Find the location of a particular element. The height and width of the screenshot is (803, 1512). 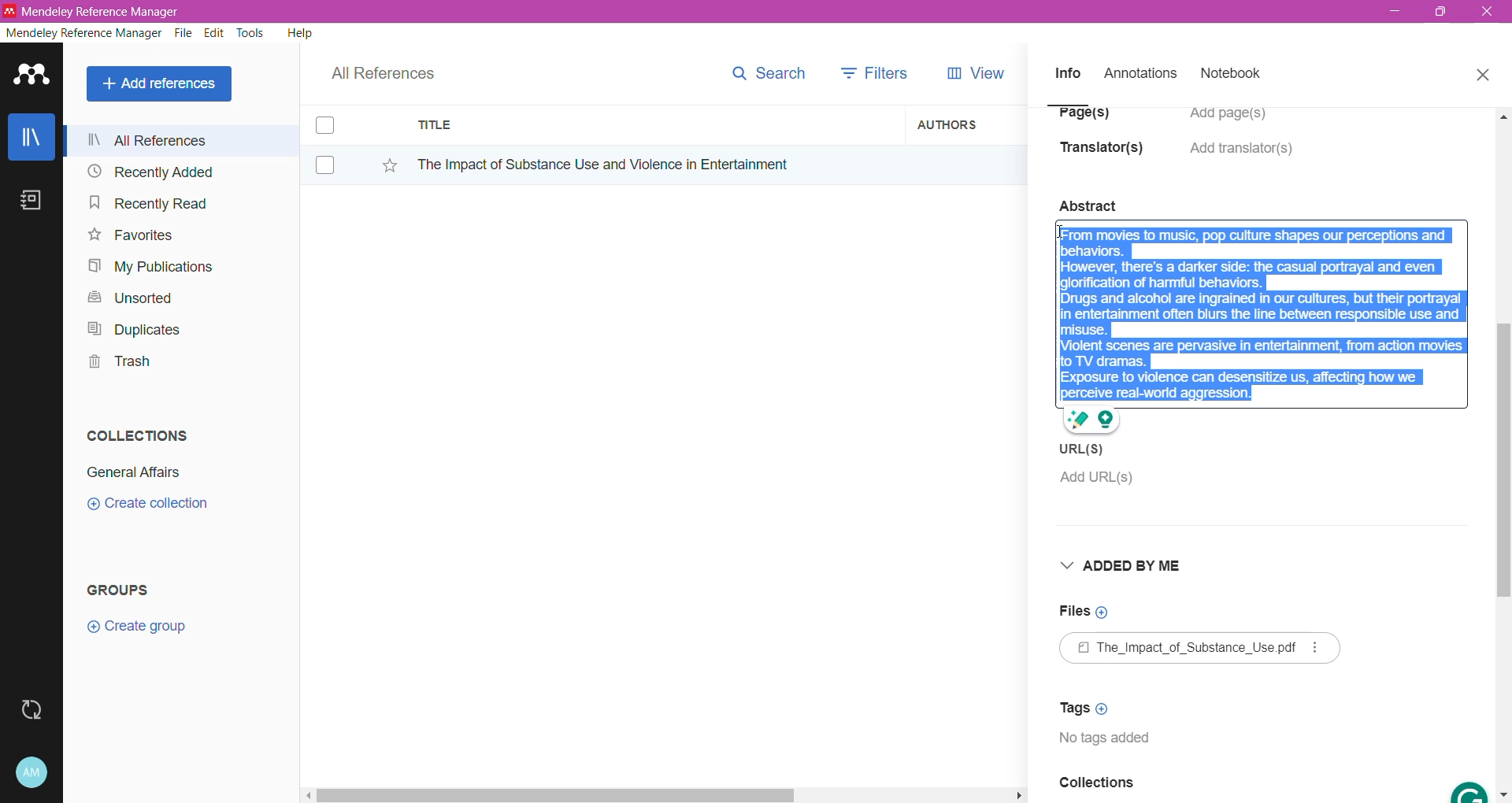

All References is located at coordinates (394, 69).